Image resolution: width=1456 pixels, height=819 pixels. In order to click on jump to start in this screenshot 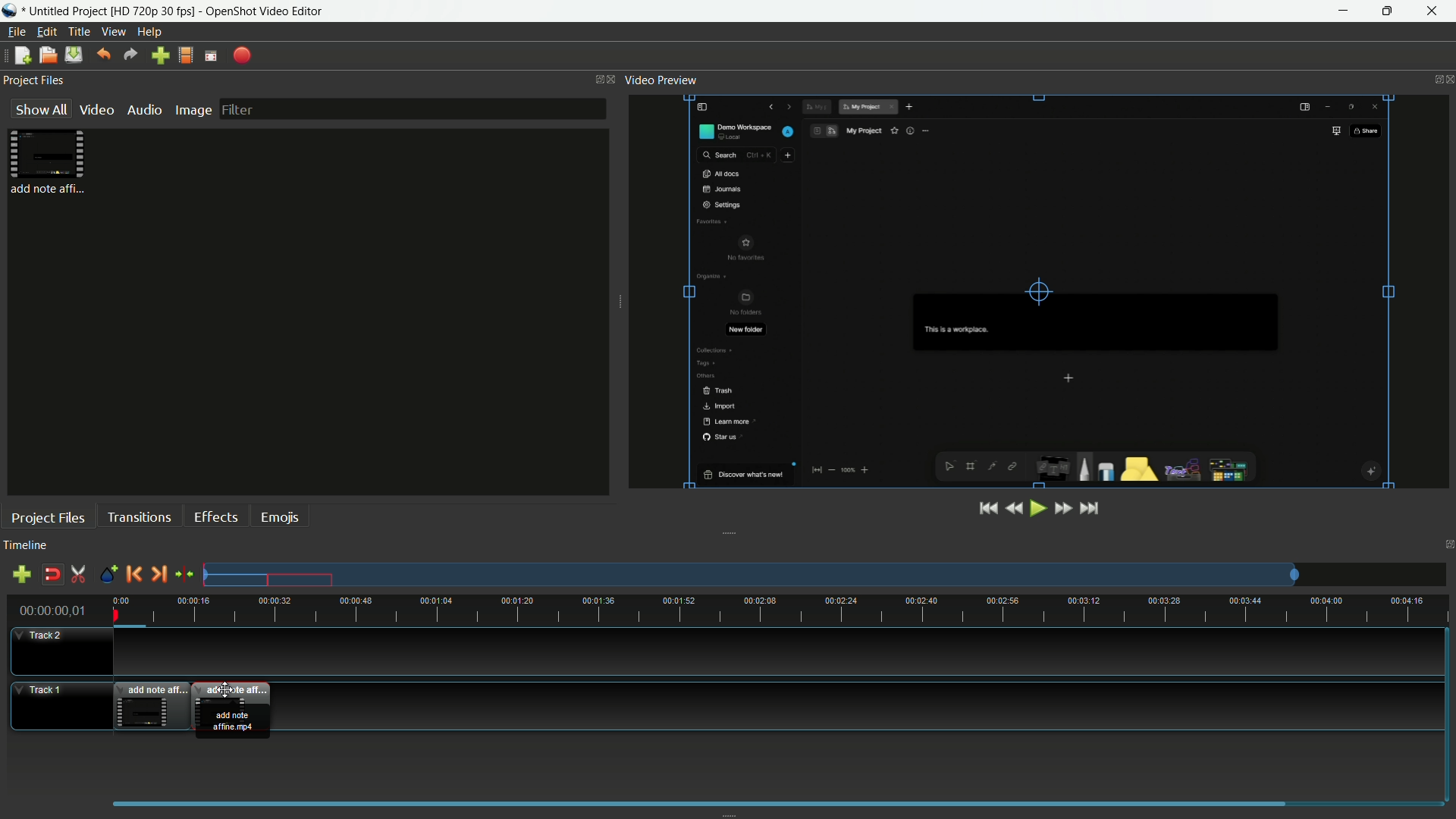, I will do `click(987, 510)`.